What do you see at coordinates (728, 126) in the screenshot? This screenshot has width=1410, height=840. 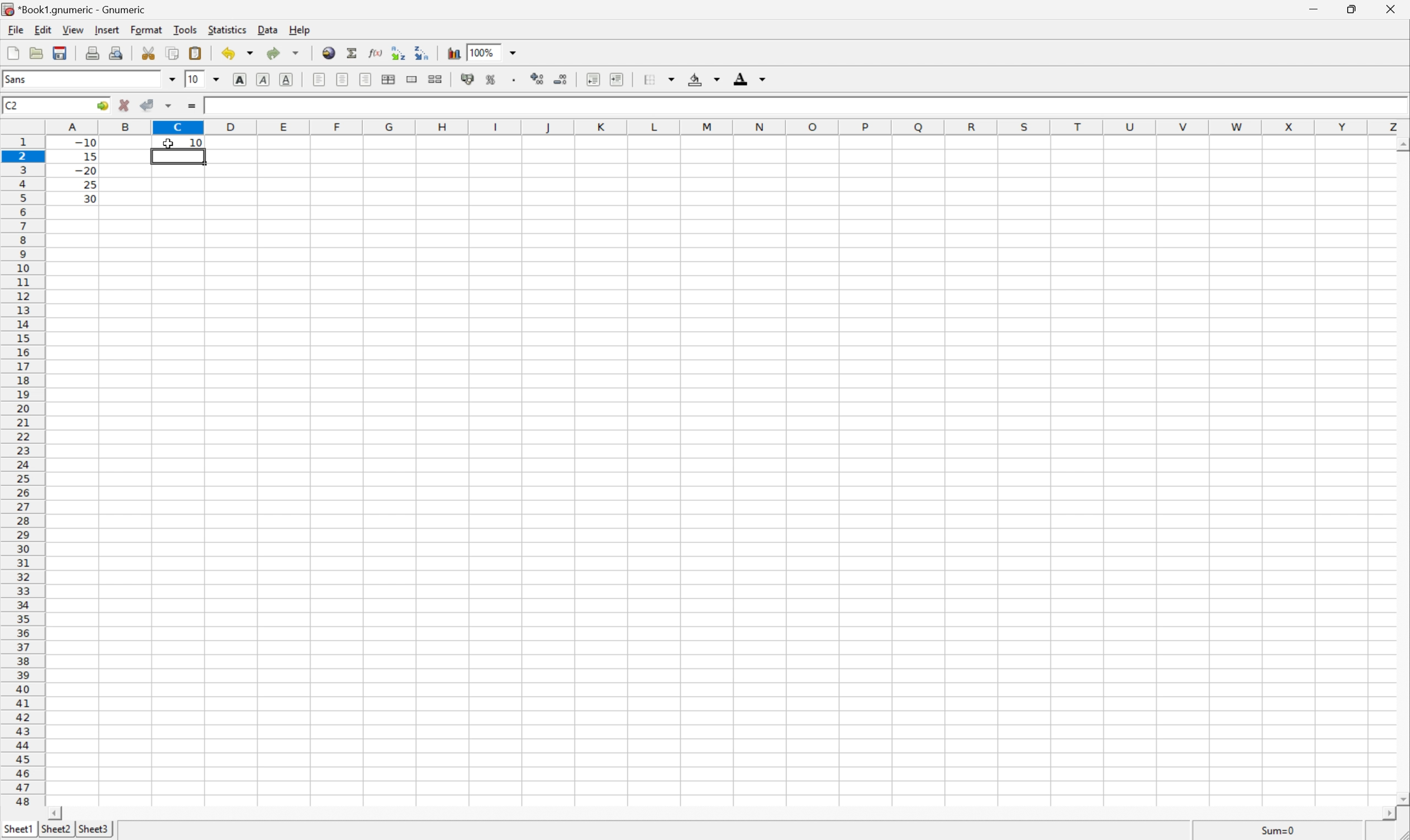 I see `Column names` at bounding box center [728, 126].